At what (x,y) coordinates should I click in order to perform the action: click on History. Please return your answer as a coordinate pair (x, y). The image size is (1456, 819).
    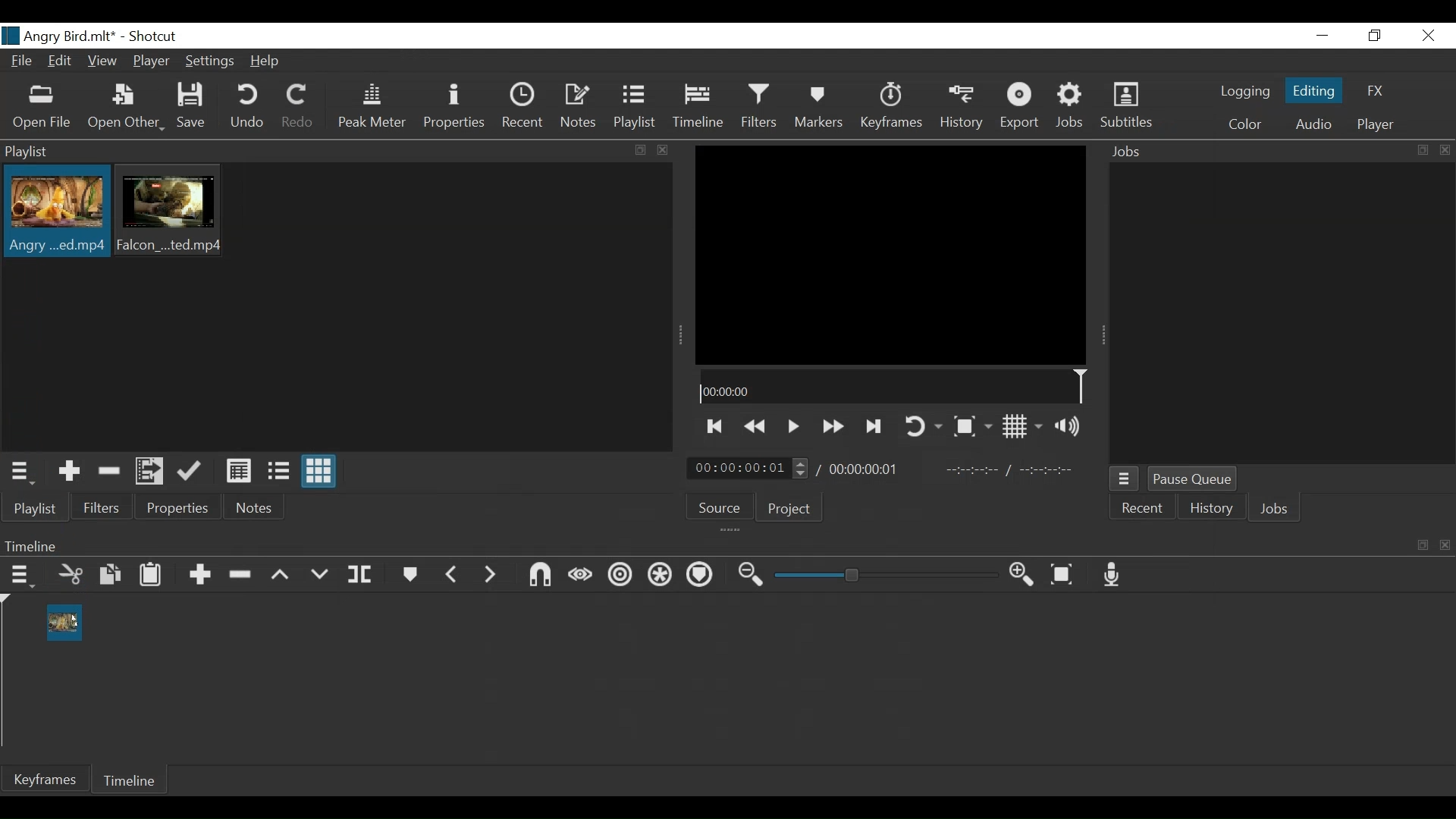
    Looking at the image, I should click on (965, 107).